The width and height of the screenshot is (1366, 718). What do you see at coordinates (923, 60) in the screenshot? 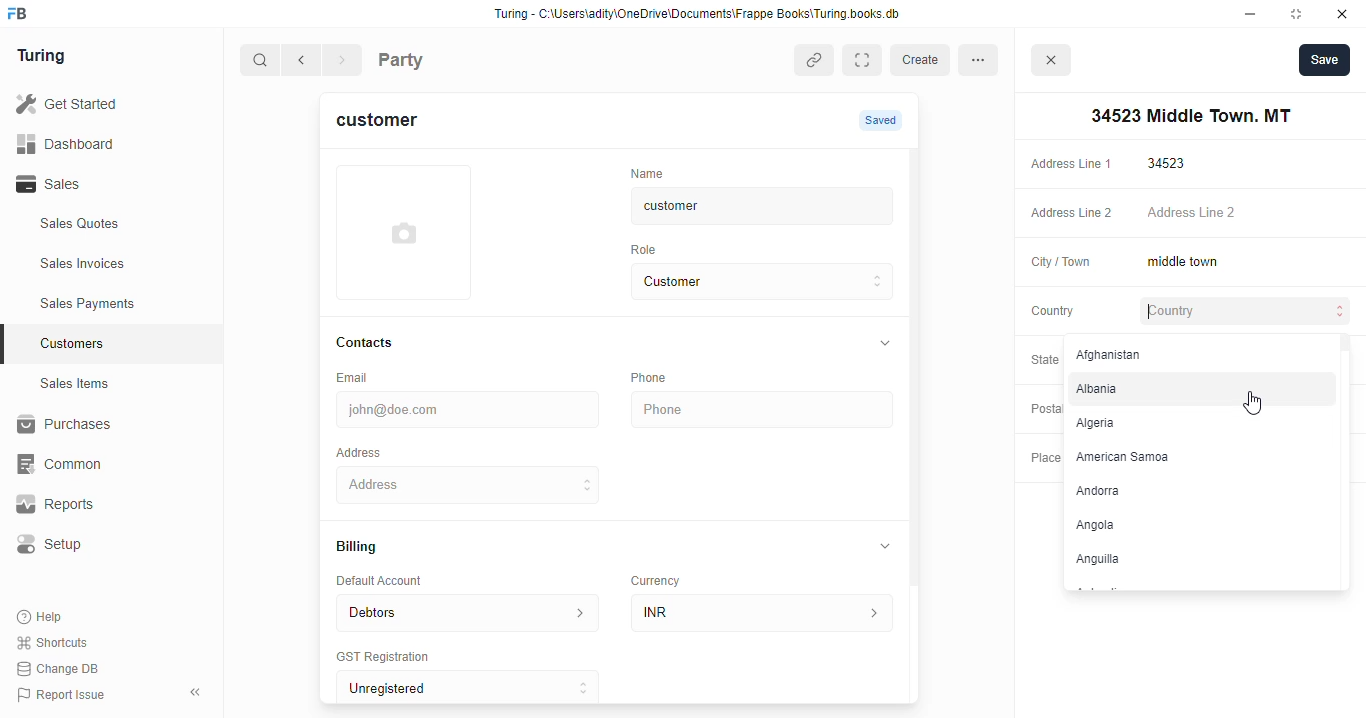
I see `create` at bounding box center [923, 60].